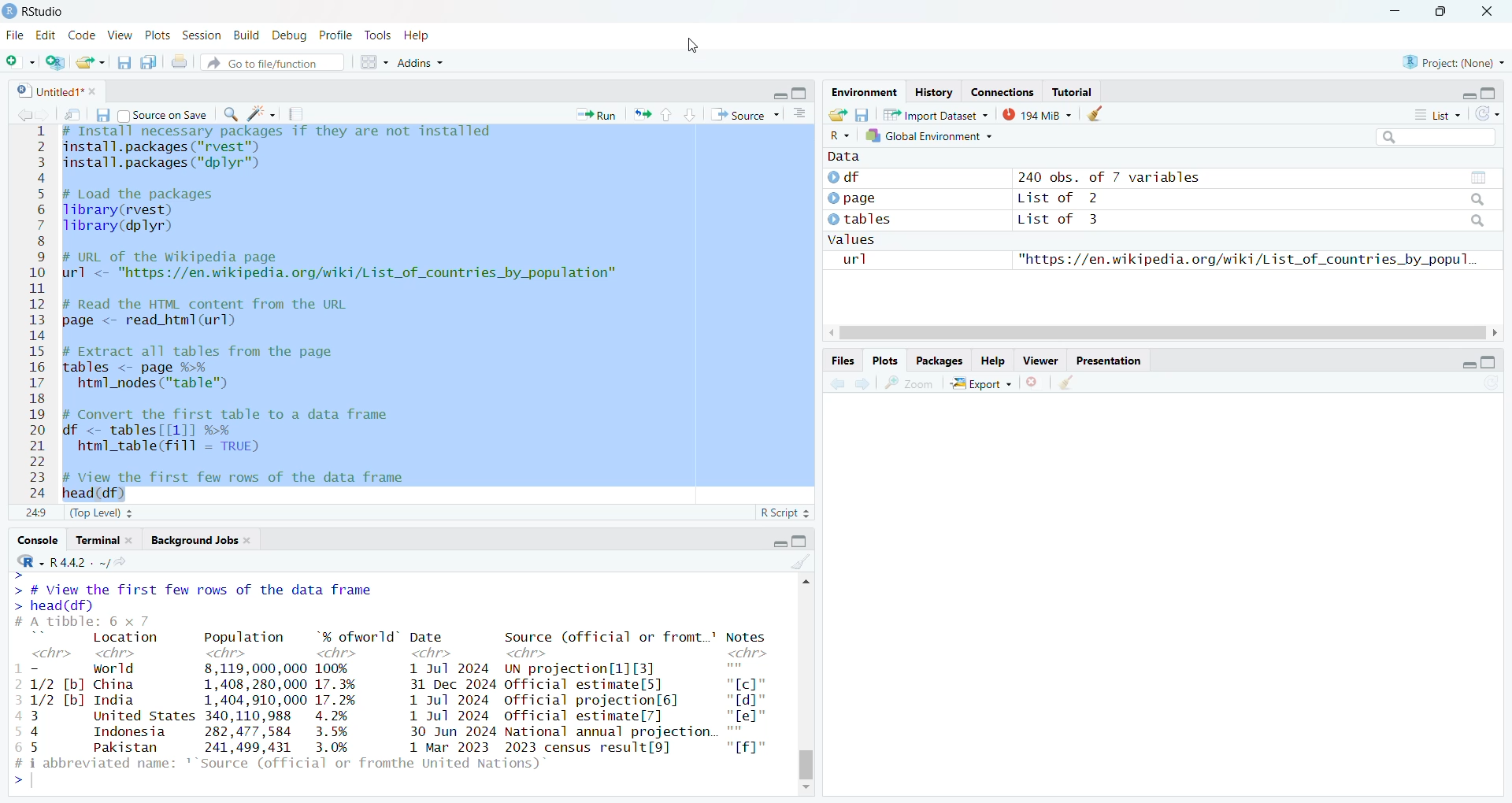  What do you see at coordinates (150, 211) in the screenshot?
I see `# Load the packages library(rvest) library(dplyr)` at bounding box center [150, 211].